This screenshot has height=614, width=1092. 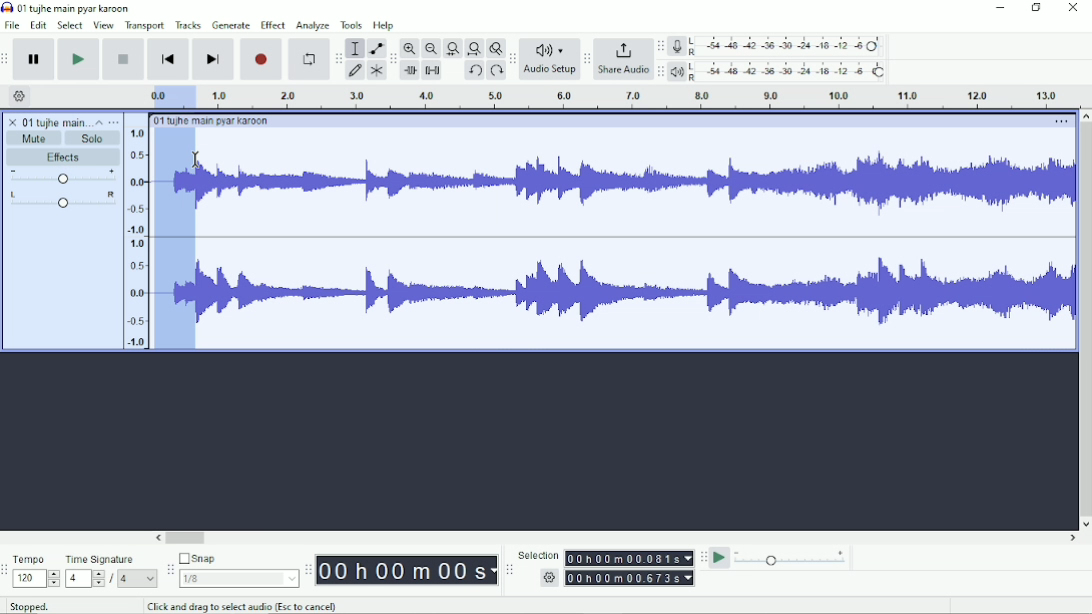 I want to click on Restore down, so click(x=1037, y=8).